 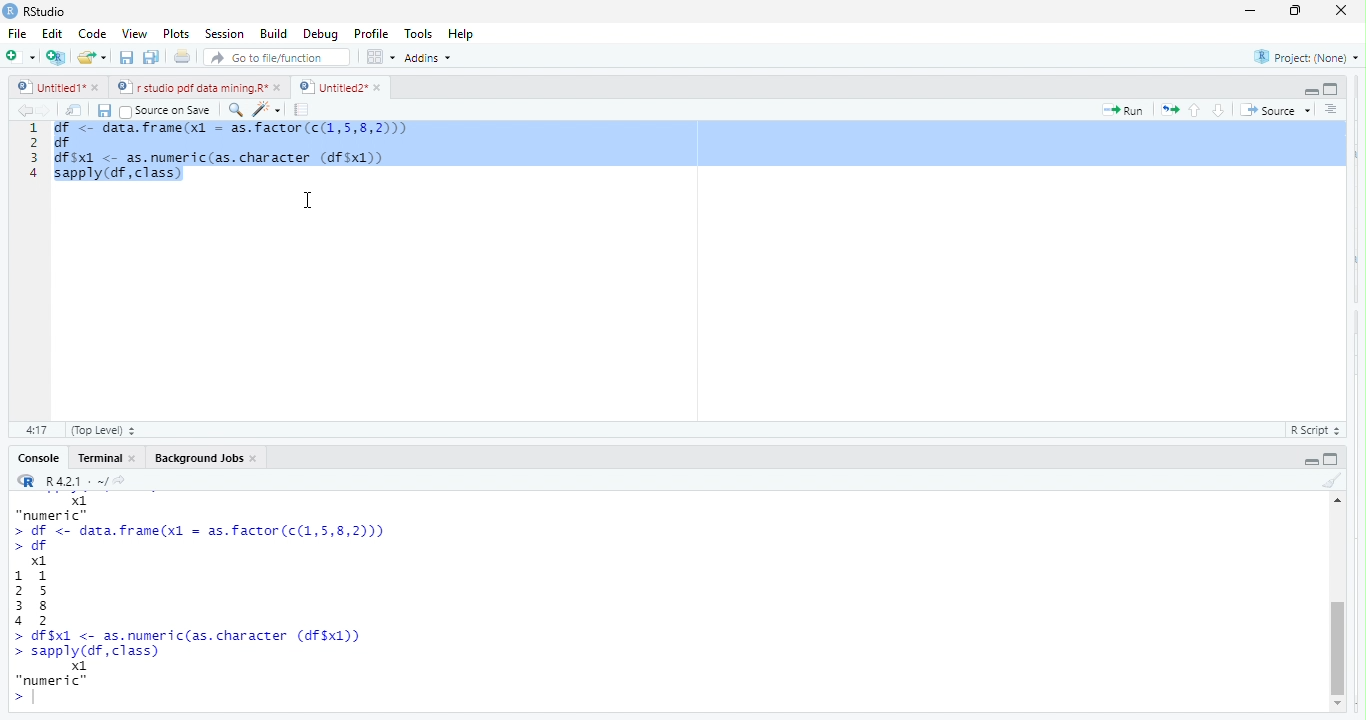 I want to click on r studio, so click(x=46, y=11).